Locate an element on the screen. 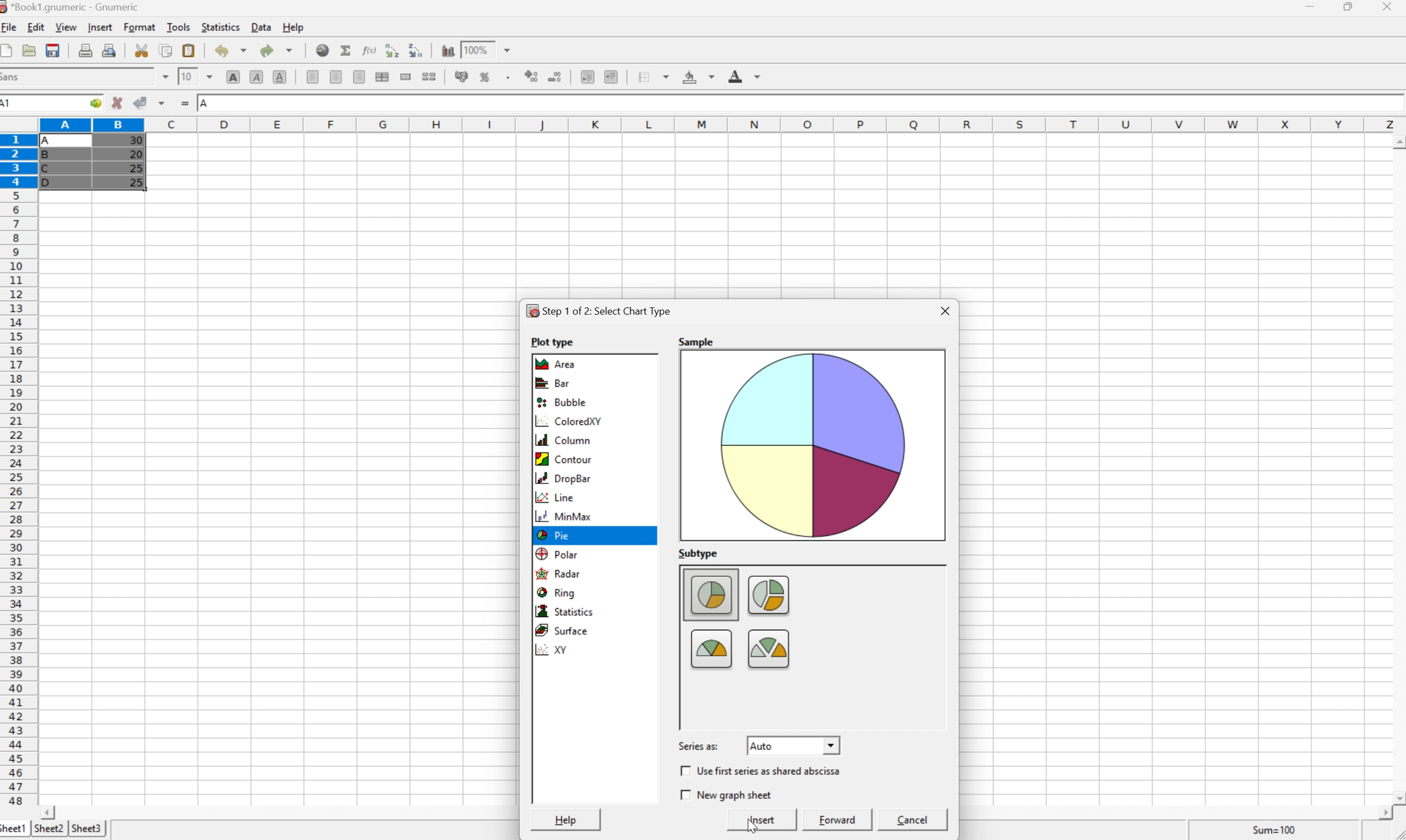 The height and width of the screenshot is (840, 1406). A is located at coordinates (205, 104).